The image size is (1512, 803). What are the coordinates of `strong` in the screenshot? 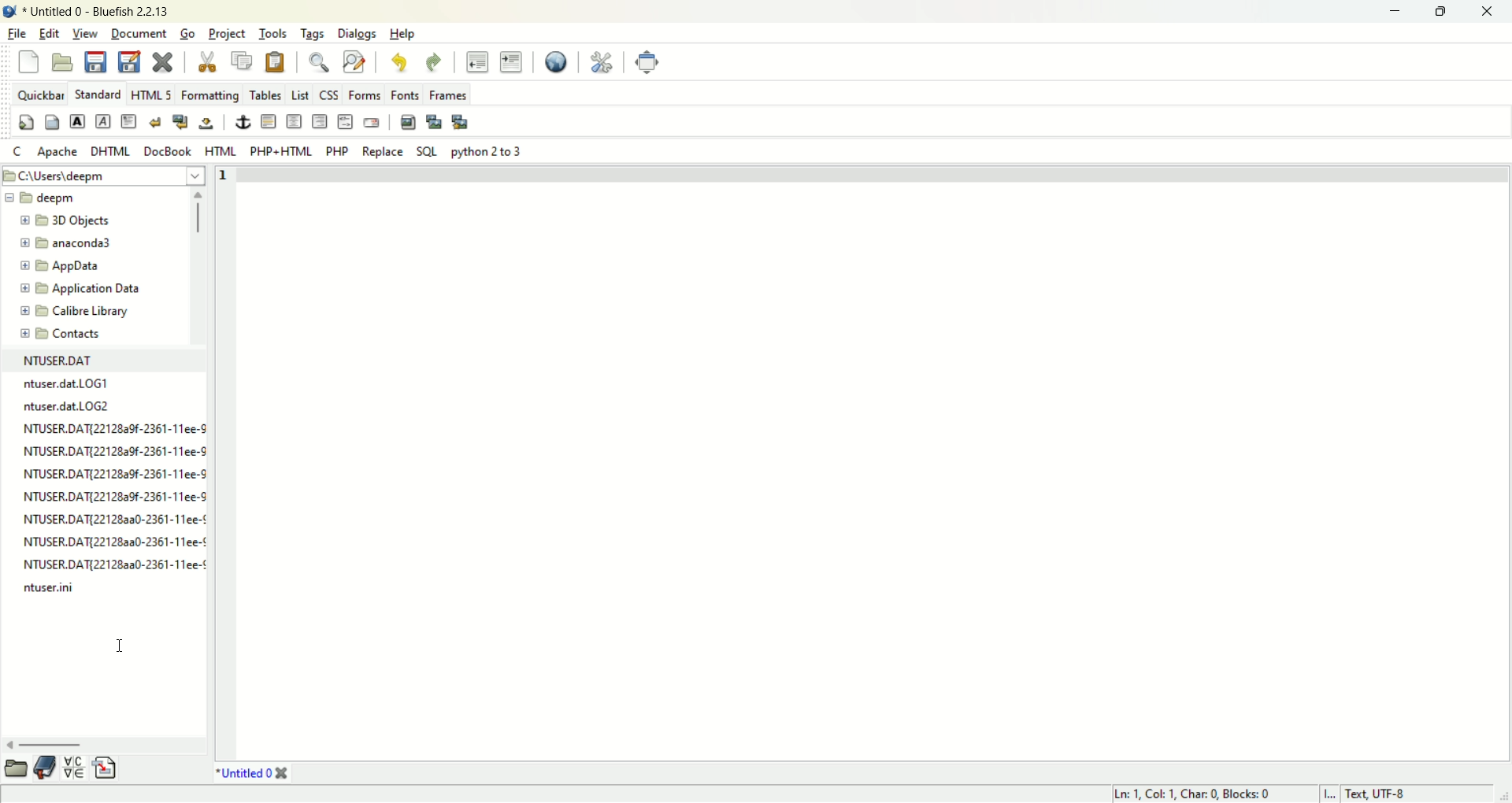 It's located at (76, 120).